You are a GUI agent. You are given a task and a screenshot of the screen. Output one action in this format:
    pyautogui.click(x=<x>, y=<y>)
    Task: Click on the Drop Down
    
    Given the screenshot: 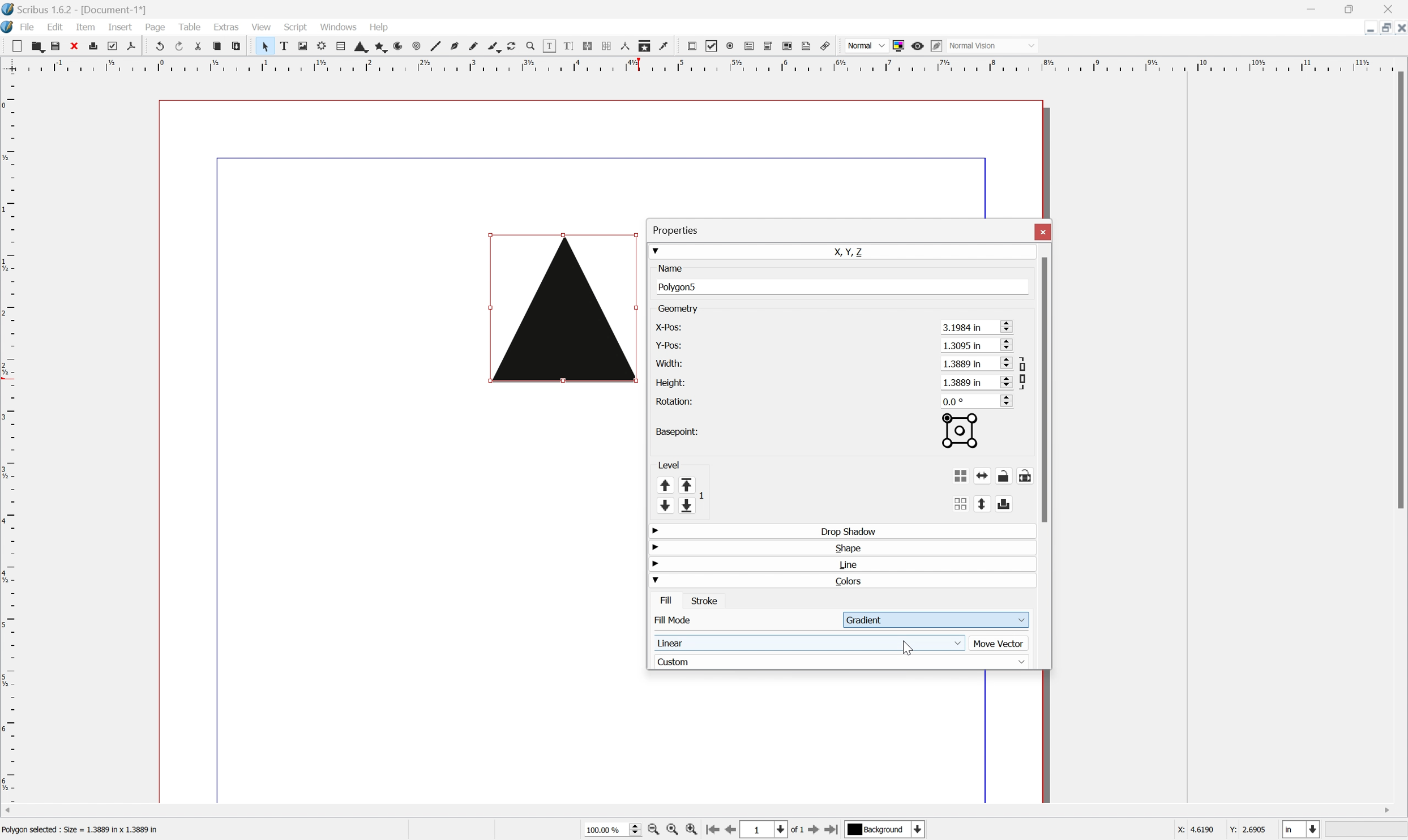 What is the action you would take?
    pyautogui.click(x=653, y=547)
    